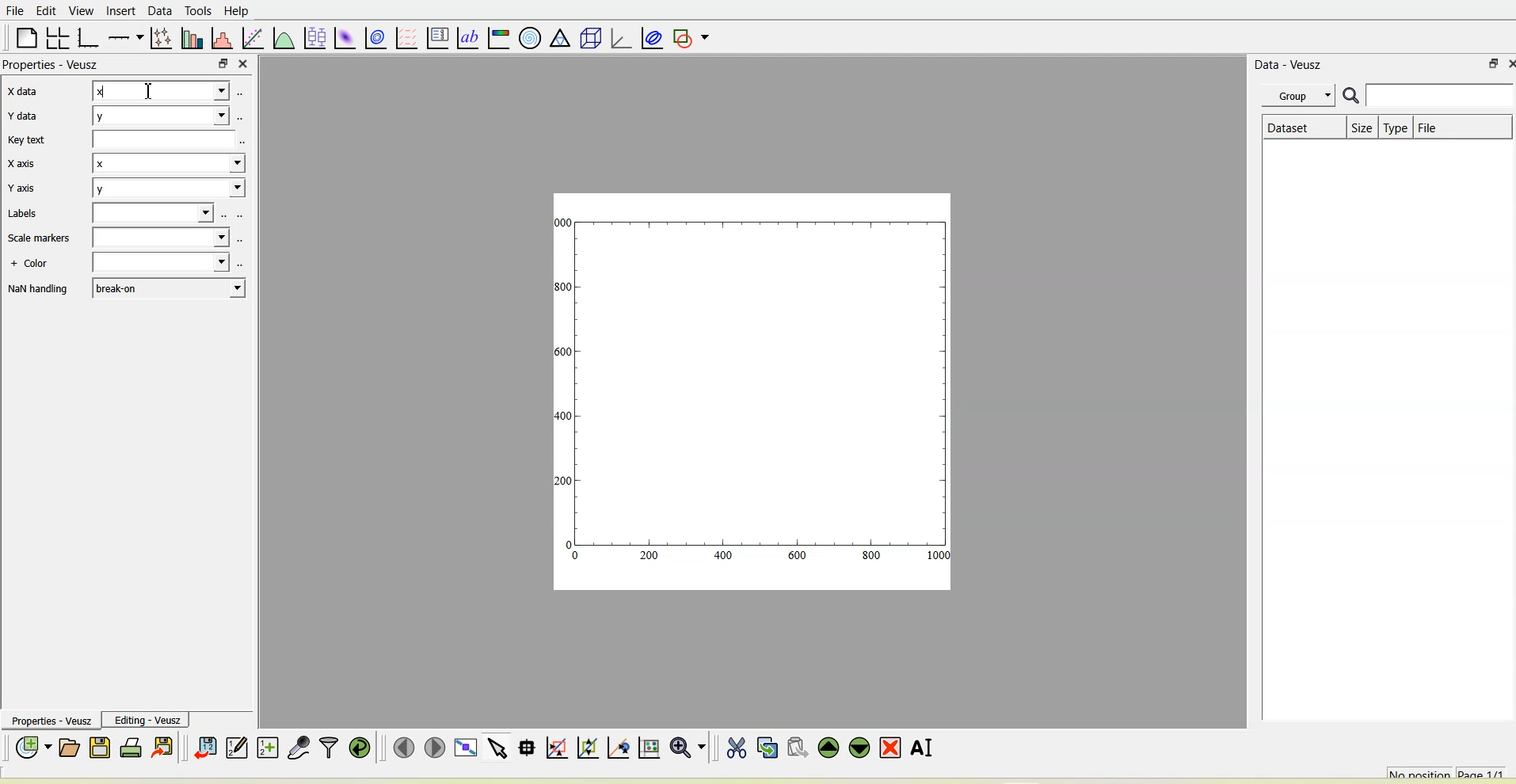  What do you see at coordinates (1490, 64) in the screenshot?
I see `float panel` at bounding box center [1490, 64].